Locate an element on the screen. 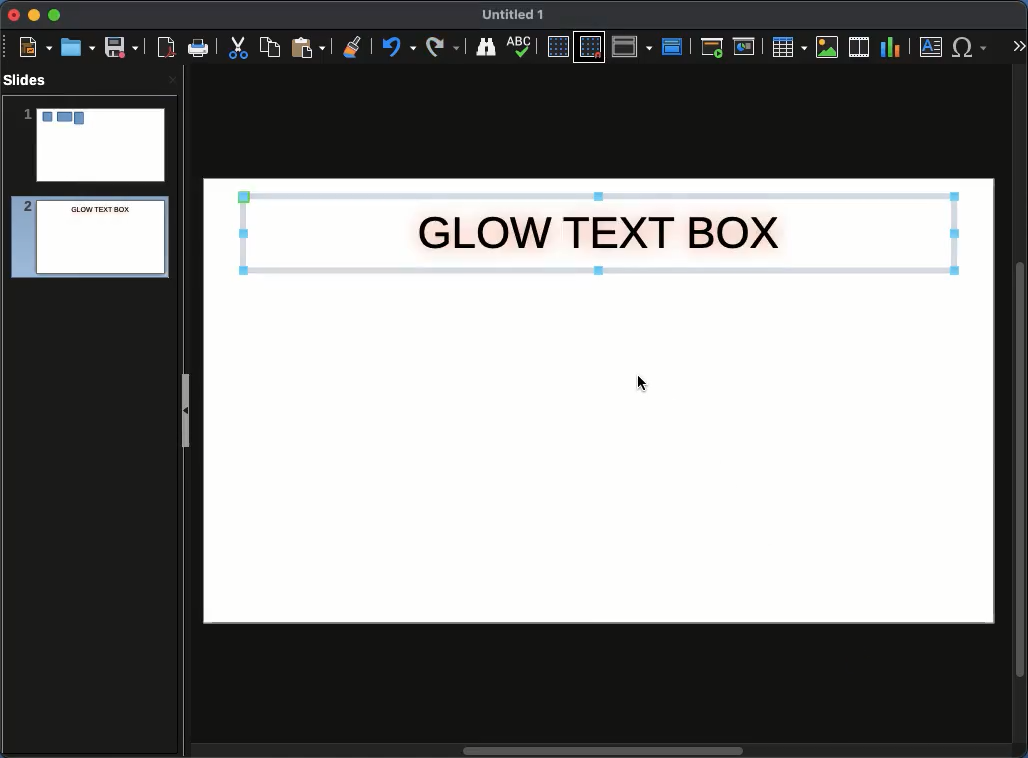 The image size is (1028, 758). Table is located at coordinates (788, 46).